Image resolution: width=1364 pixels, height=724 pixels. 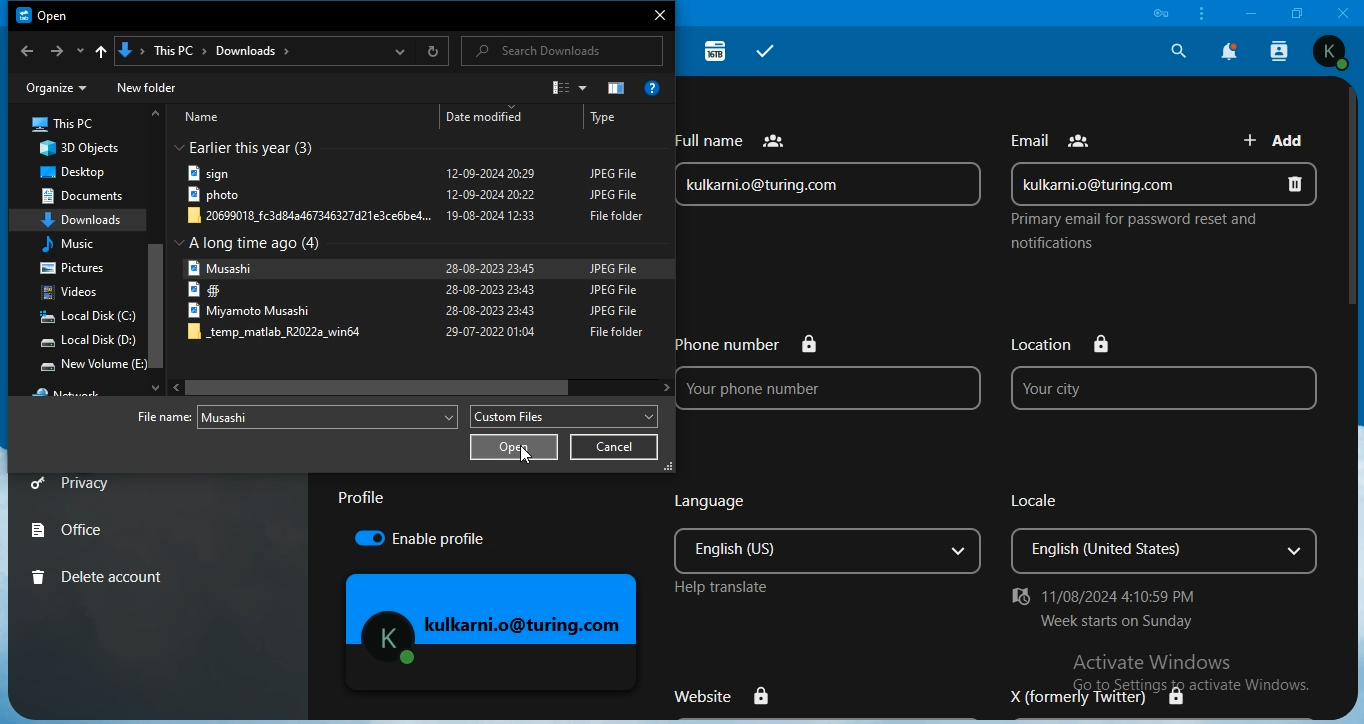 I want to click on documents, so click(x=87, y=196).